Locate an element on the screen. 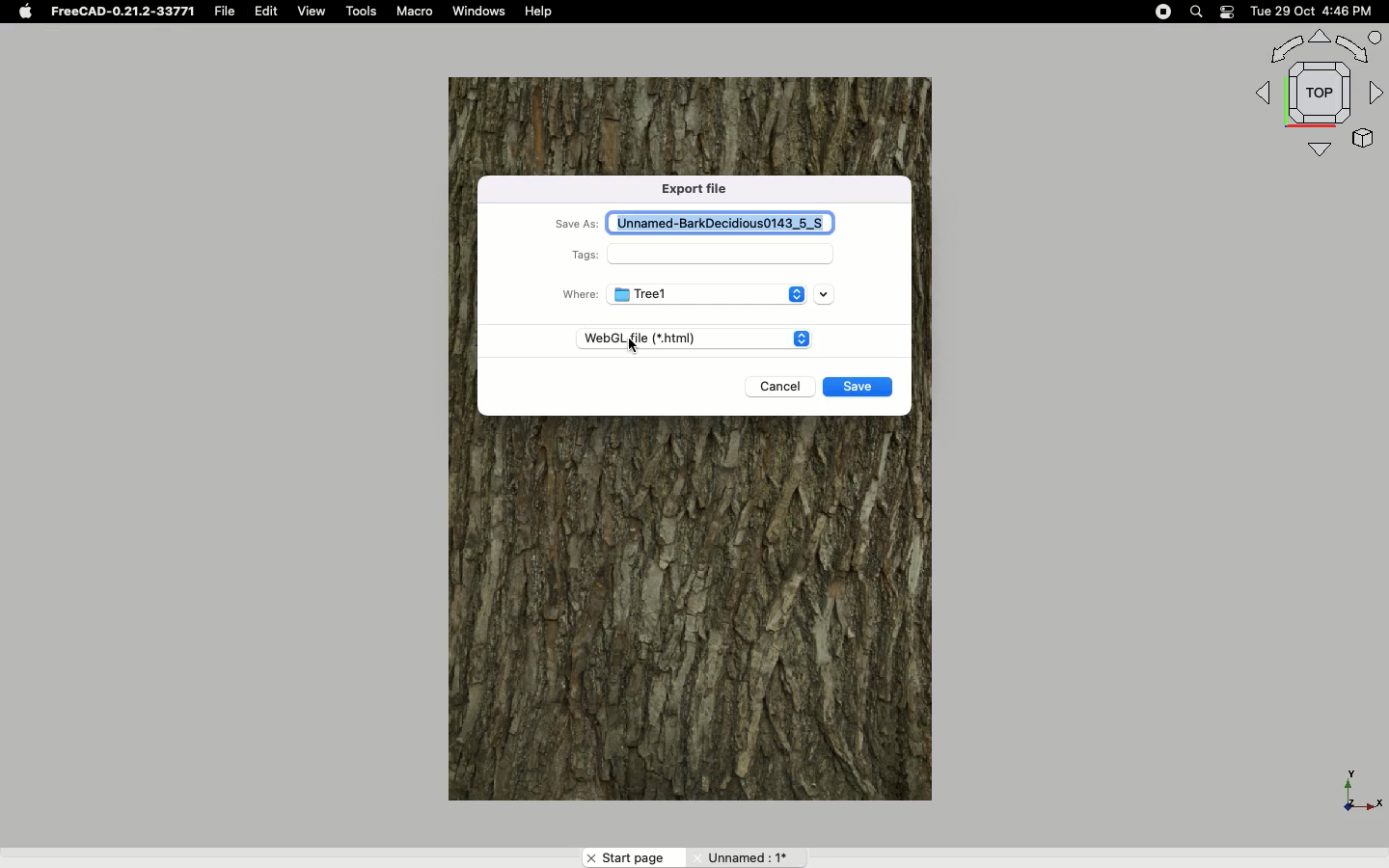  Apple logo is located at coordinates (24, 12).